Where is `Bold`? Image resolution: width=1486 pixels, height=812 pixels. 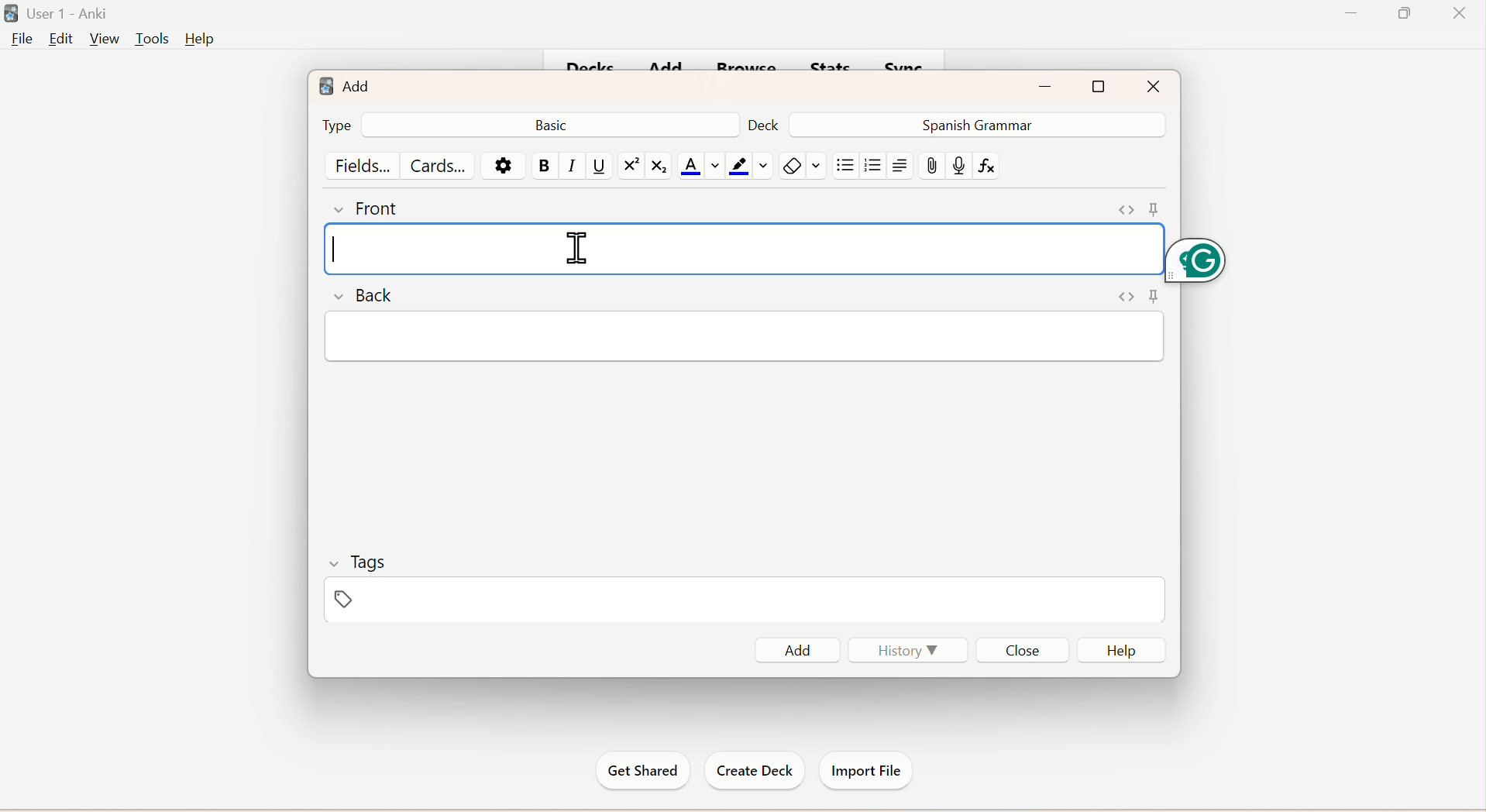 Bold is located at coordinates (545, 166).